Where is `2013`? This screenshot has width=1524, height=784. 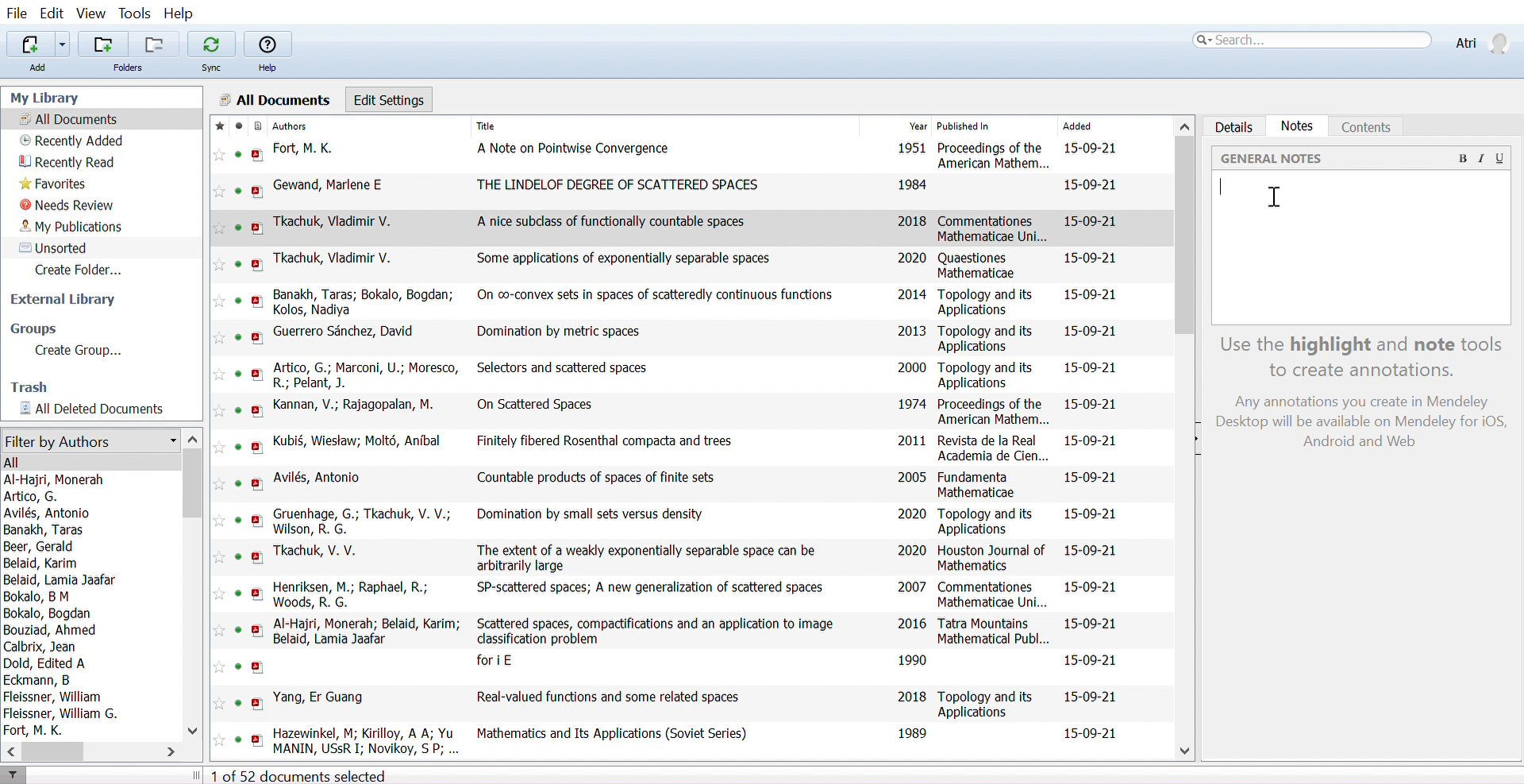 2013 is located at coordinates (913, 331).